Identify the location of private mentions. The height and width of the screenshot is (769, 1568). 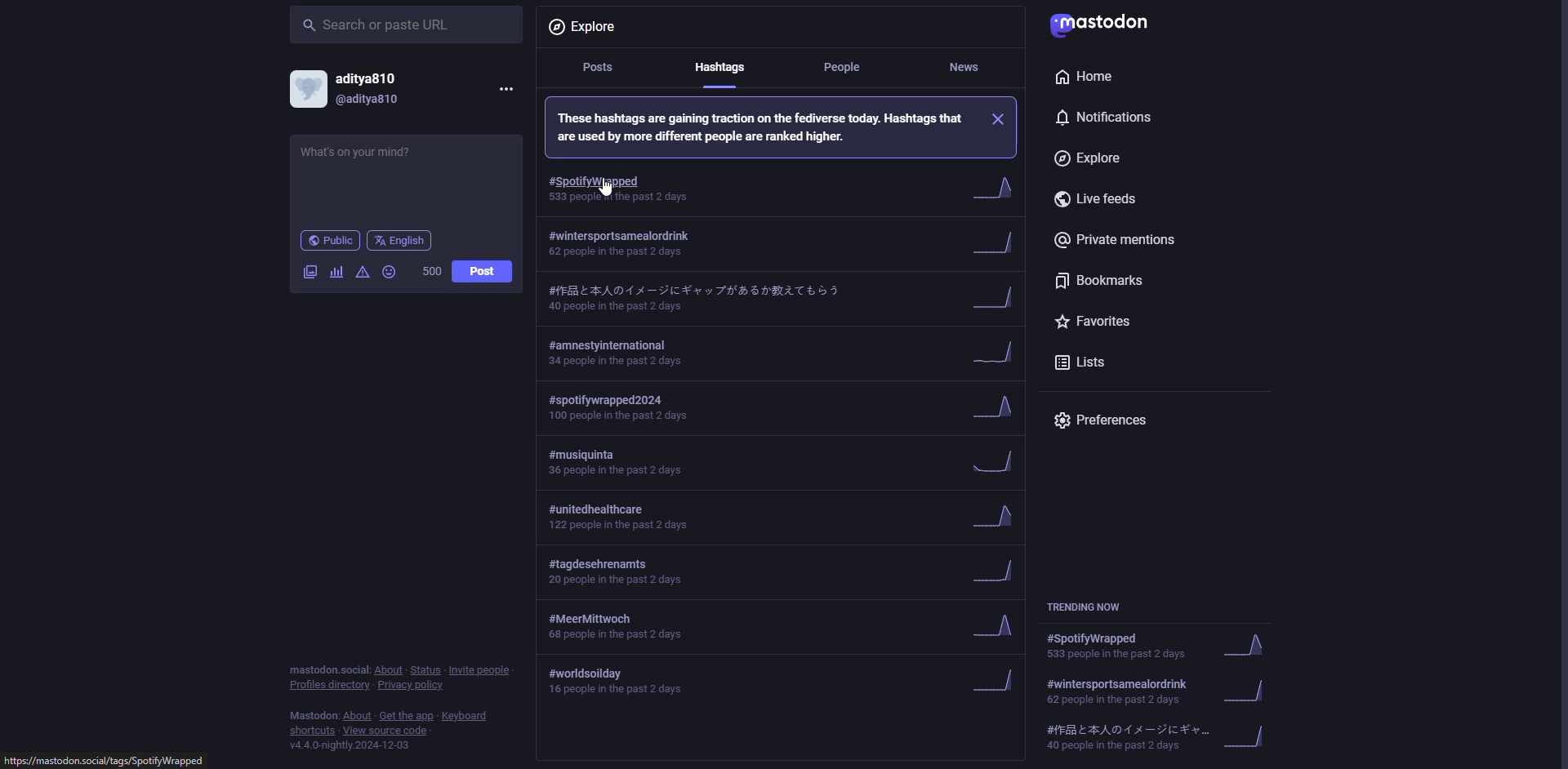
(1120, 241).